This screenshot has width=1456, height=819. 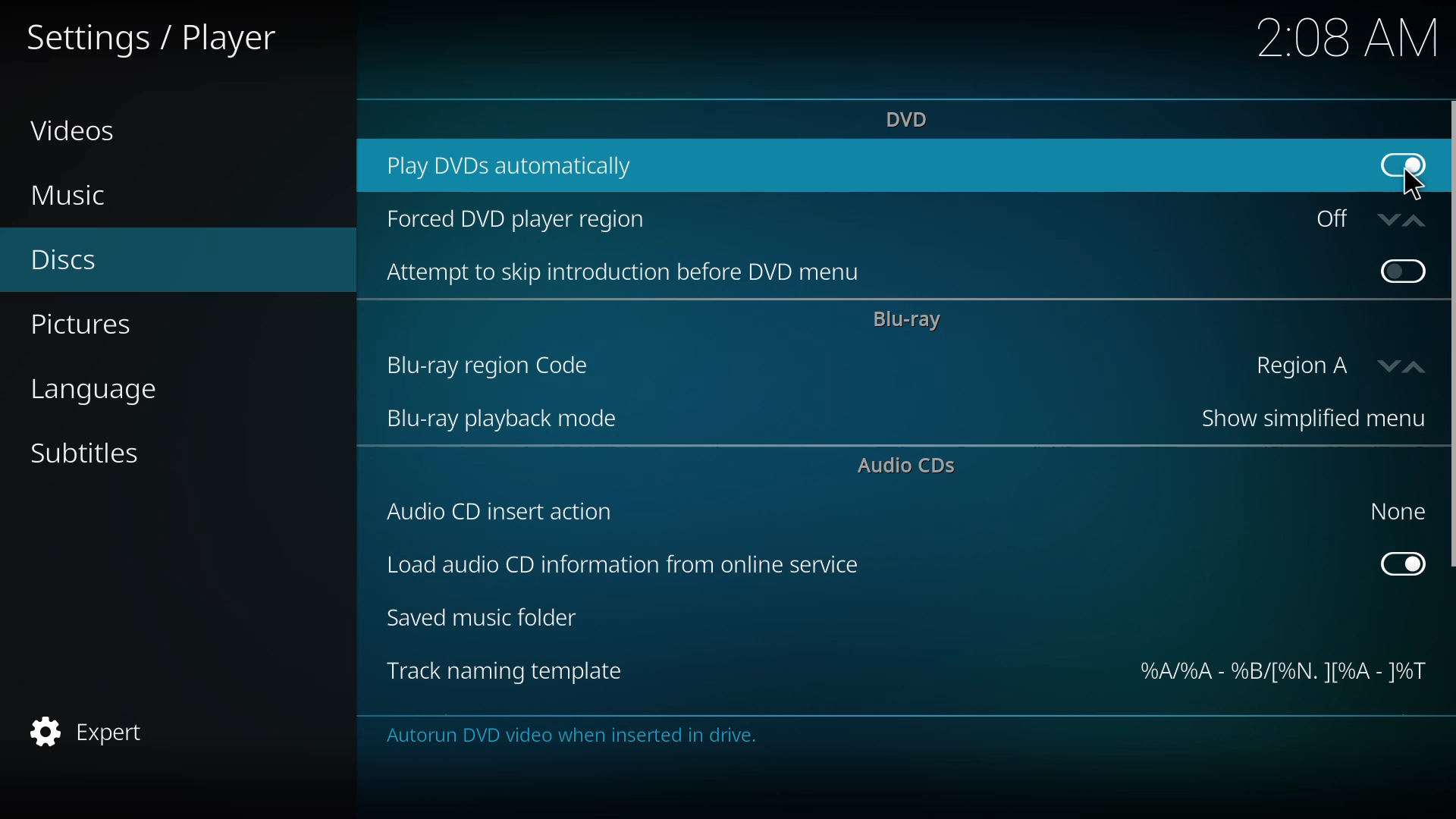 I want to click on attempt to skip intro before dvd menu, so click(x=631, y=273).